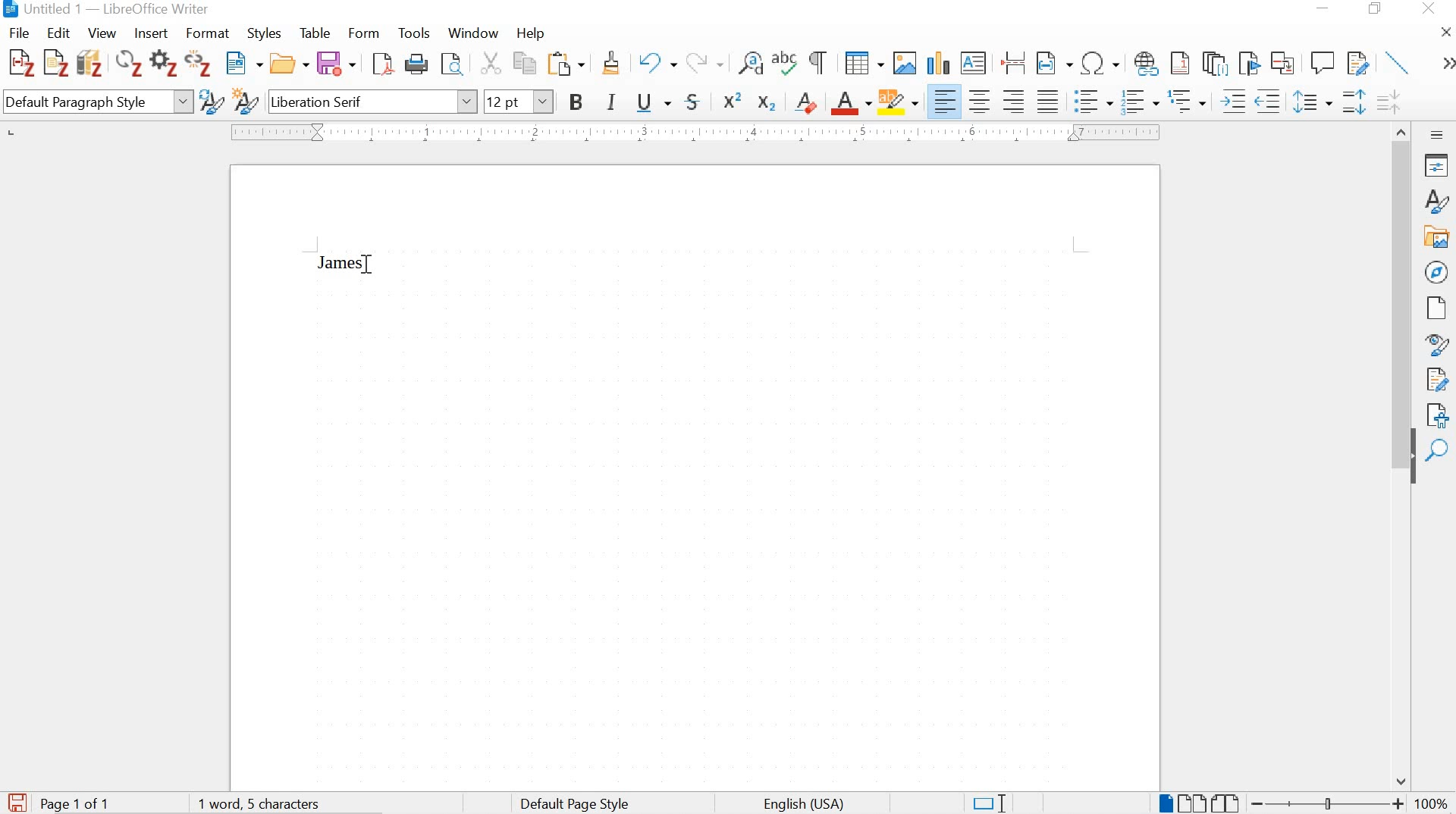 The image size is (1456, 814). What do you see at coordinates (451, 66) in the screenshot?
I see `toggle print preview` at bounding box center [451, 66].